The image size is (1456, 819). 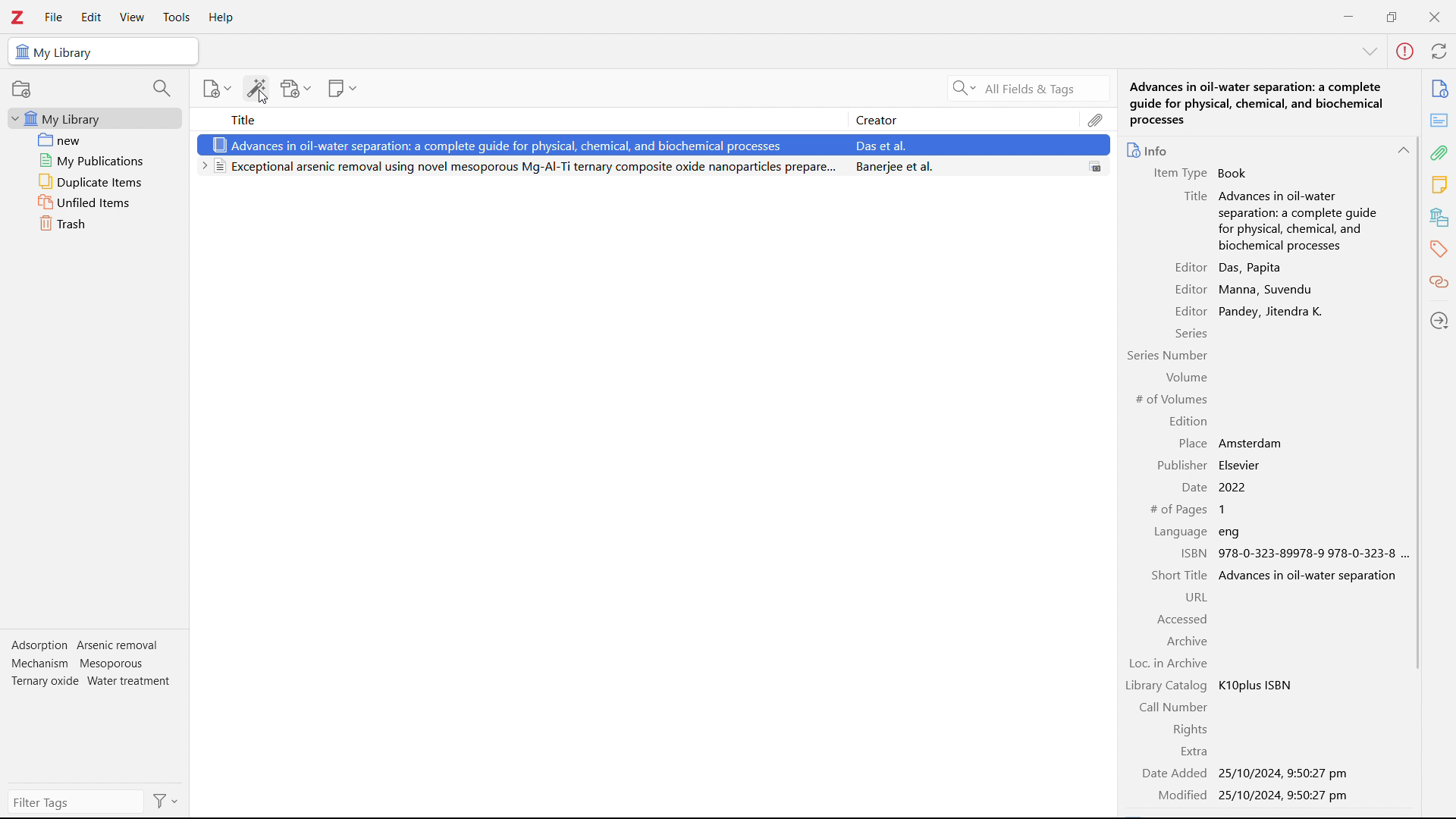 What do you see at coordinates (166, 801) in the screenshot?
I see `actions` at bounding box center [166, 801].